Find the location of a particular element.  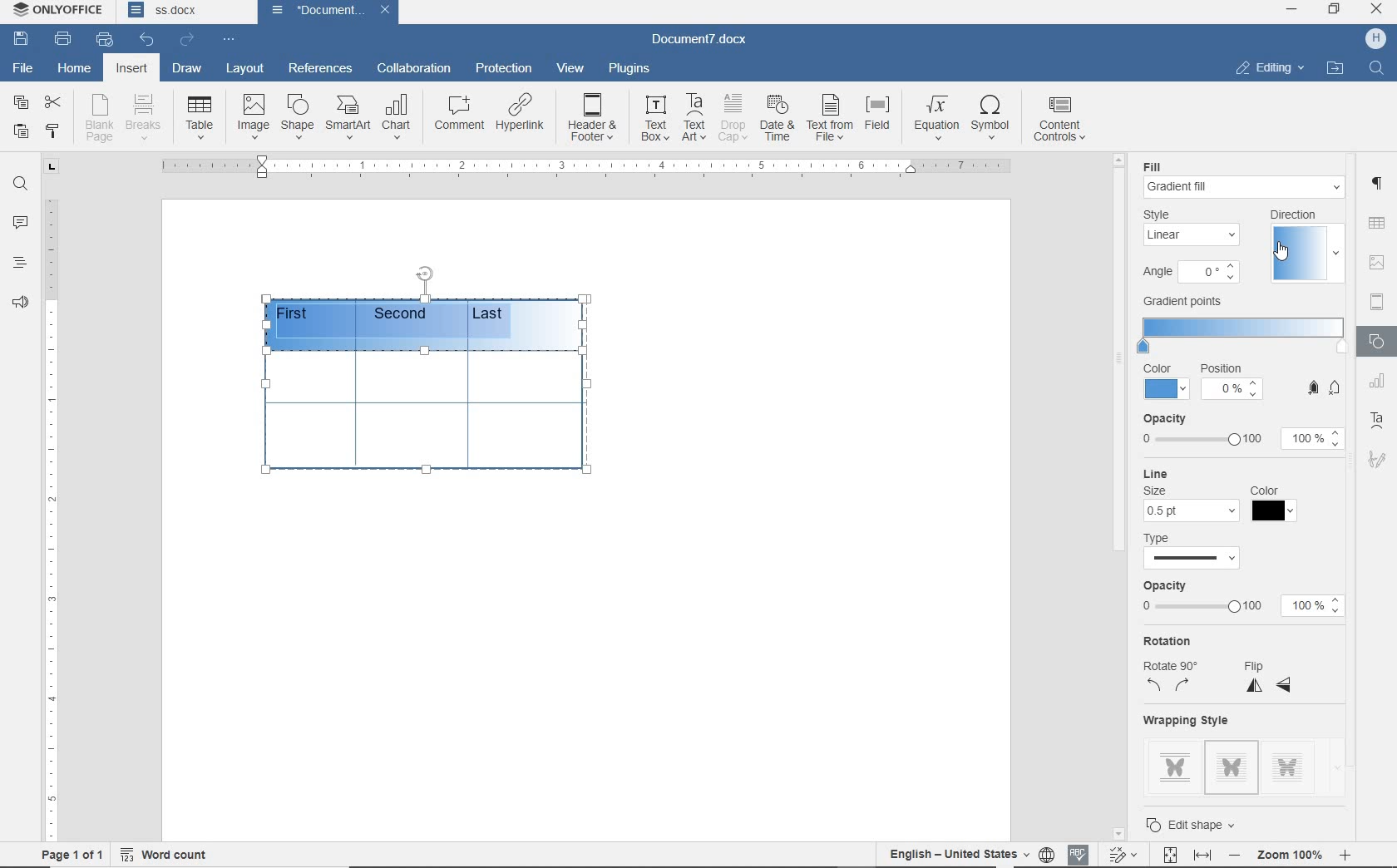

layout is located at coordinates (248, 68).